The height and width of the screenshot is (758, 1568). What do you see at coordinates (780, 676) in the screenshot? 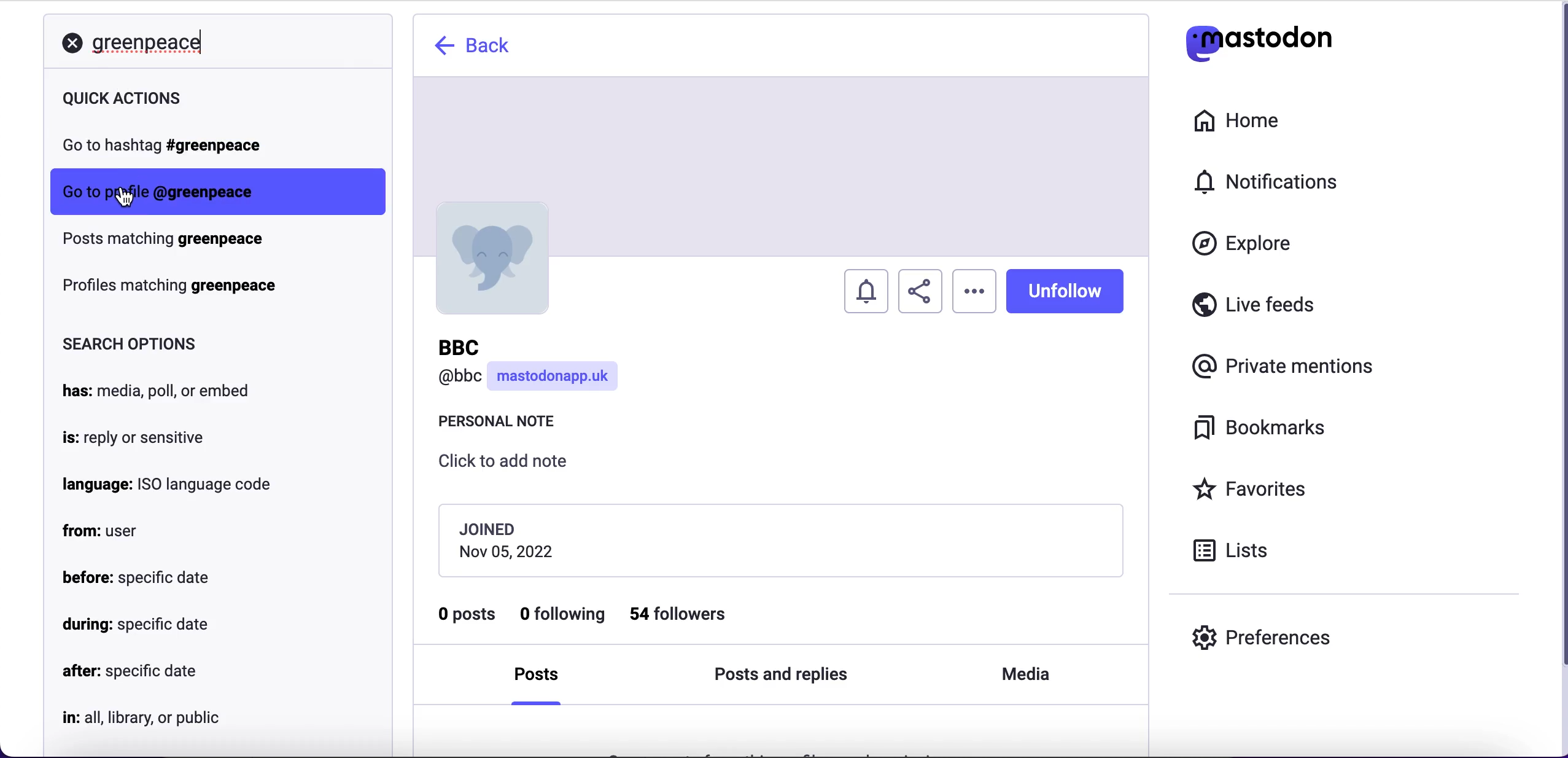
I see `posts and replies` at bounding box center [780, 676].